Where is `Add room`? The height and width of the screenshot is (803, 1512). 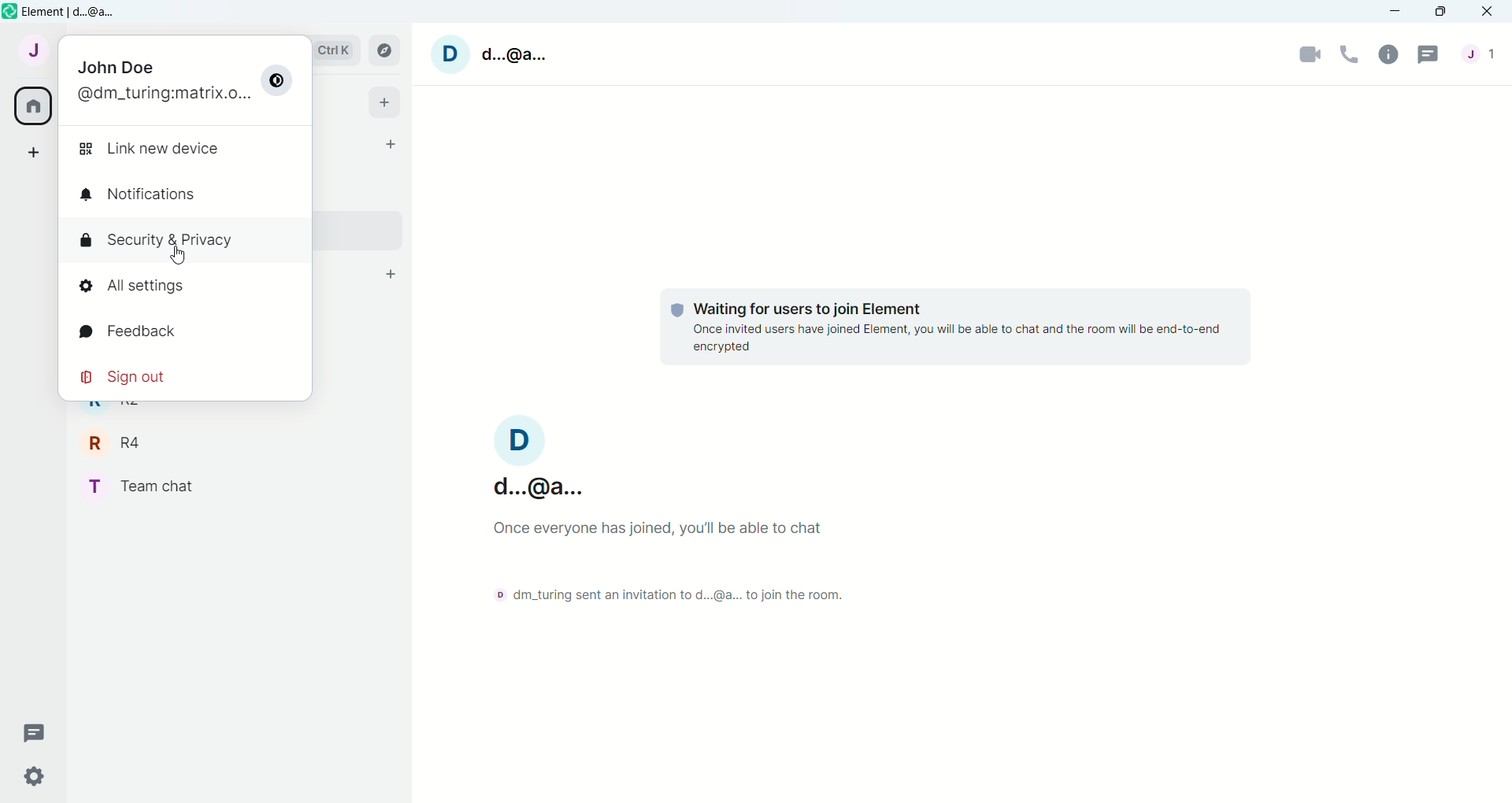 Add room is located at coordinates (391, 274).